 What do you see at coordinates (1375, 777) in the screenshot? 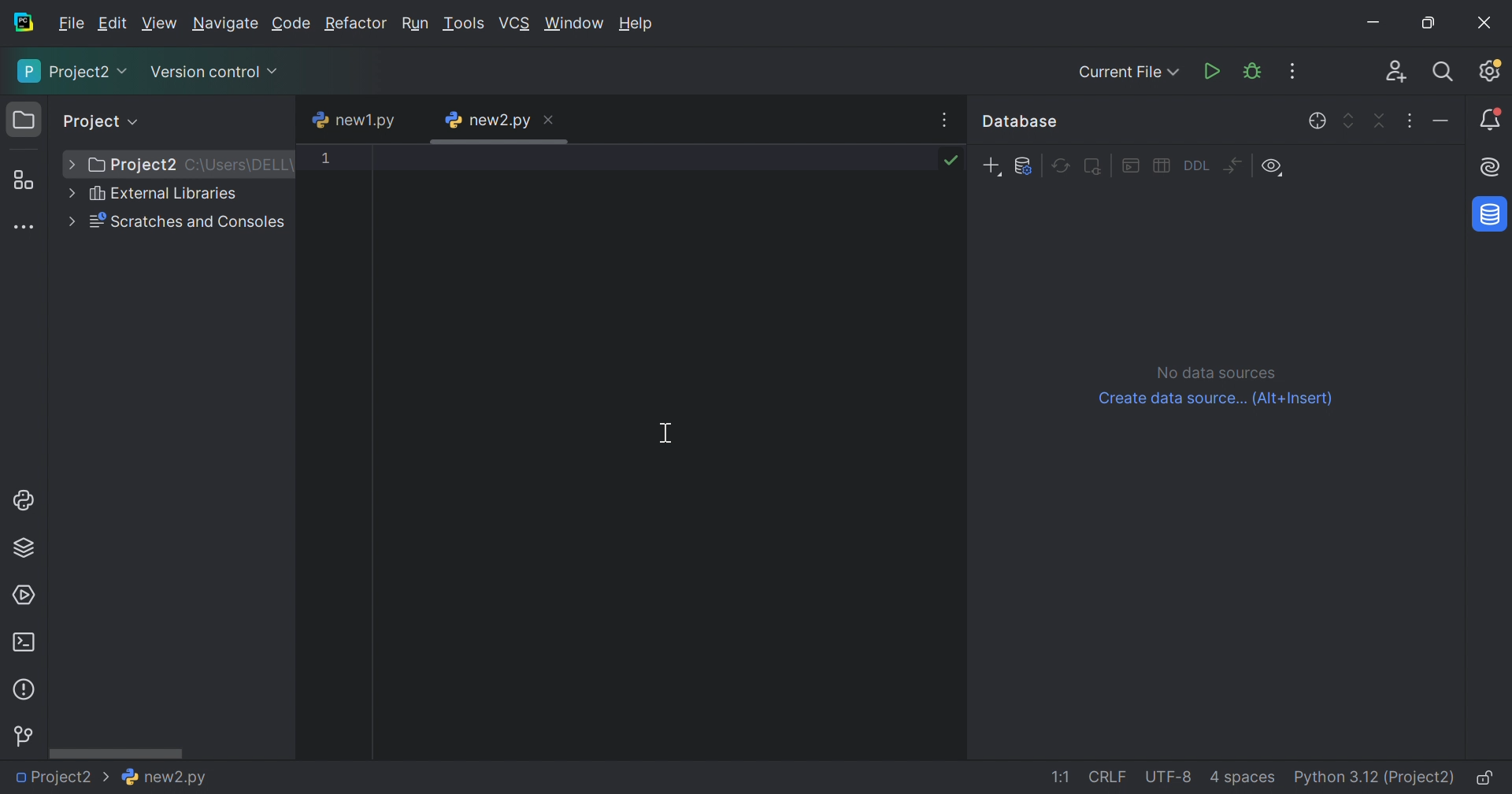
I see `Python 3.12 (Project)` at bounding box center [1375, 777].